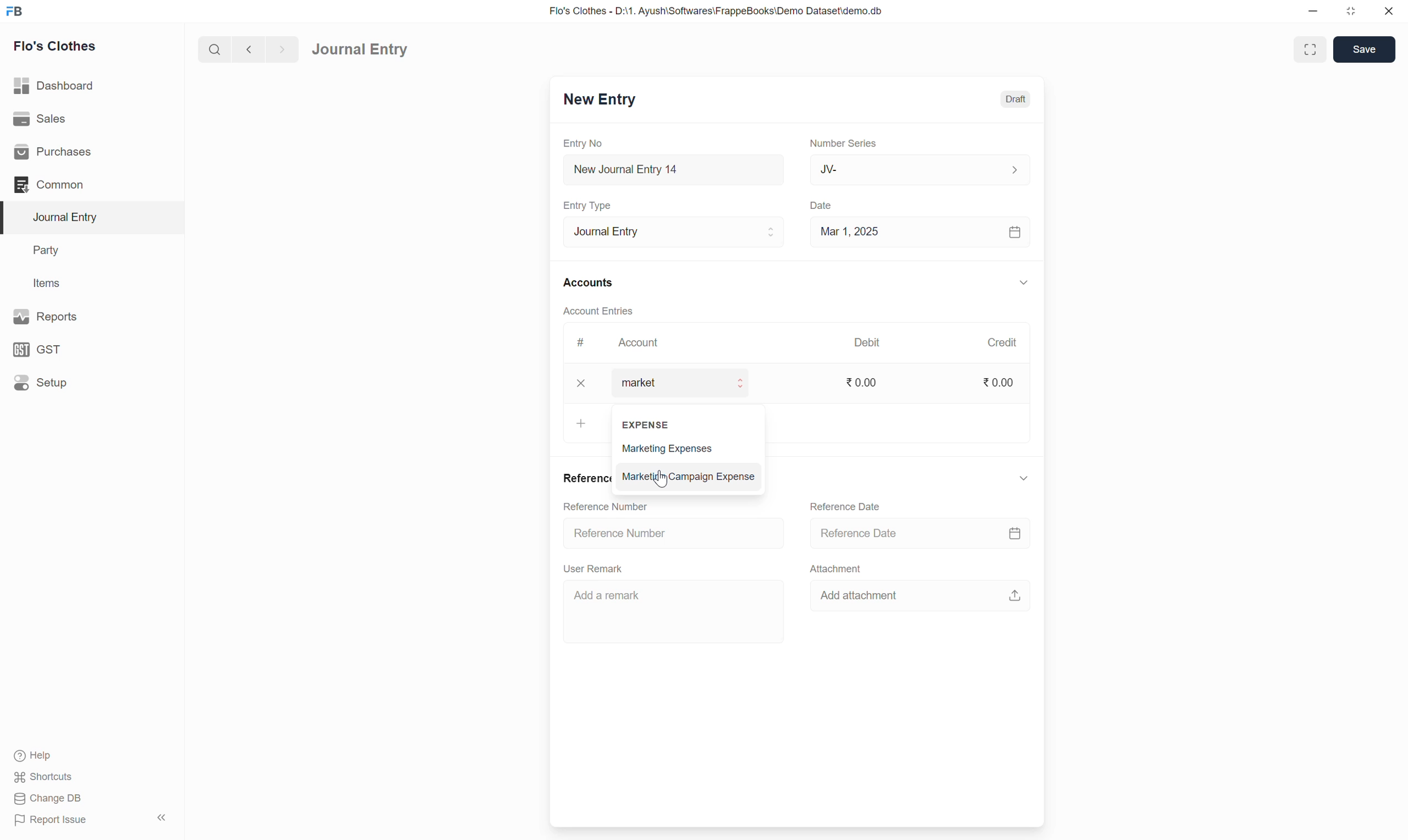  Describe the element at coordinates (1002, 342) in the screenshot. I see `Credit` at that location.